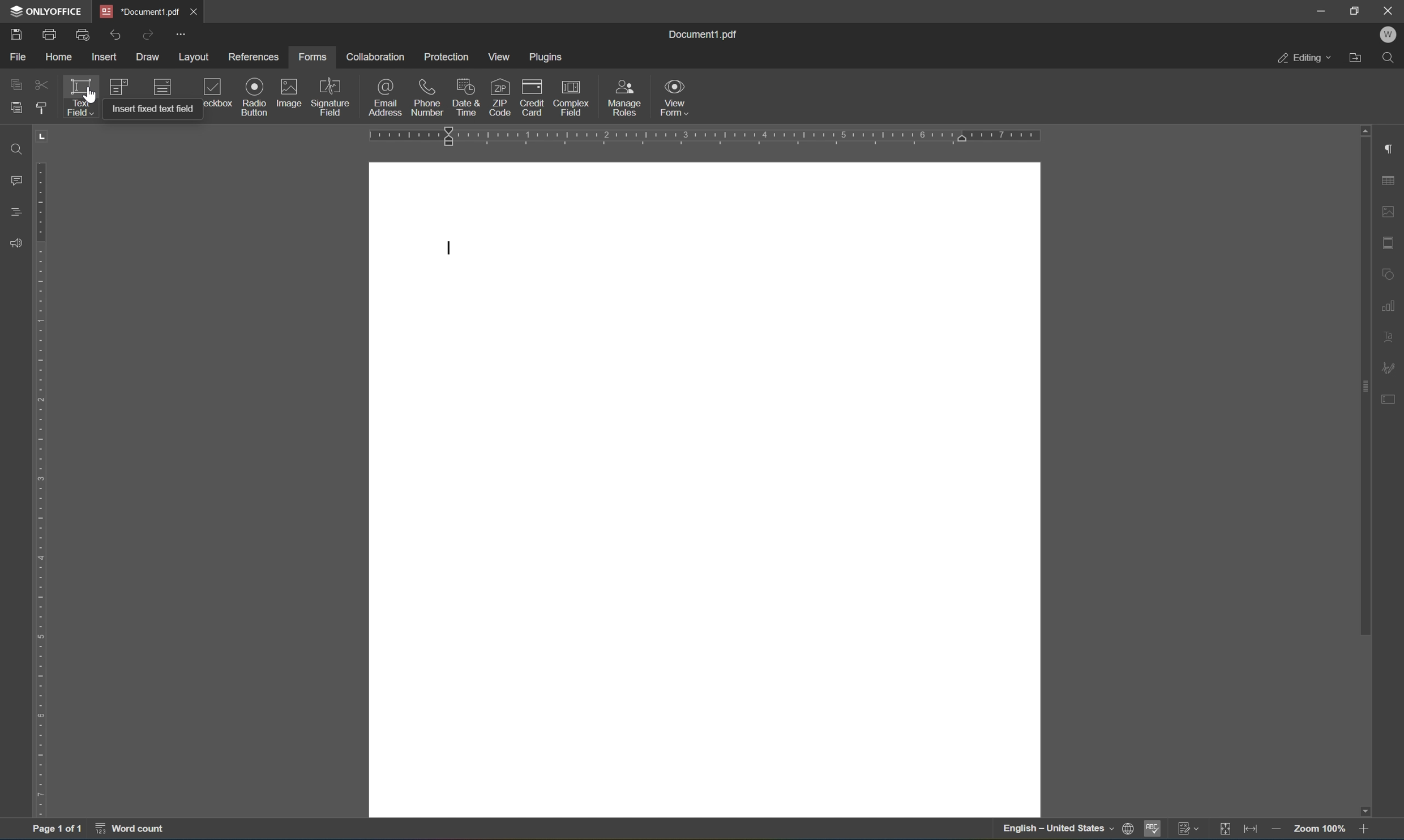 Image resolution: width=1404 pixels, height=840 pixels. Describe the element at coordinates (1359, 380) in the screenshot. I see `scroll bar` at that location.